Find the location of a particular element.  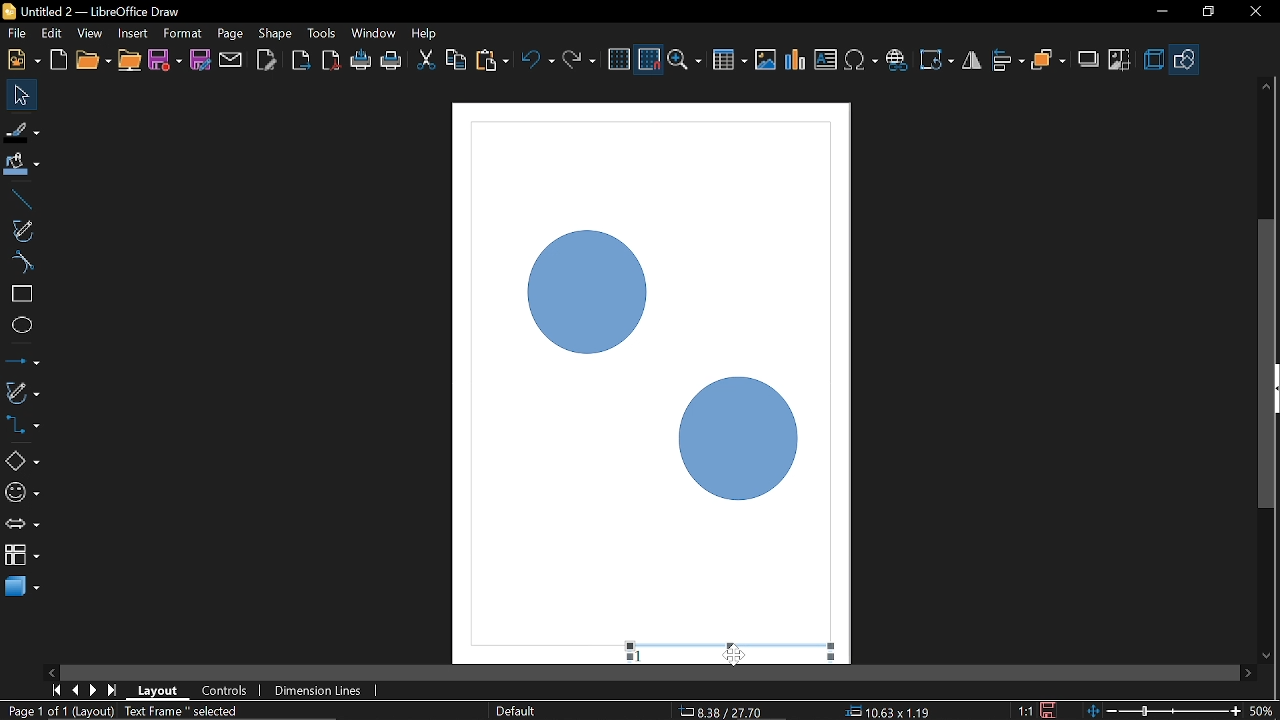

Controls is located at coordinates (224, 692).